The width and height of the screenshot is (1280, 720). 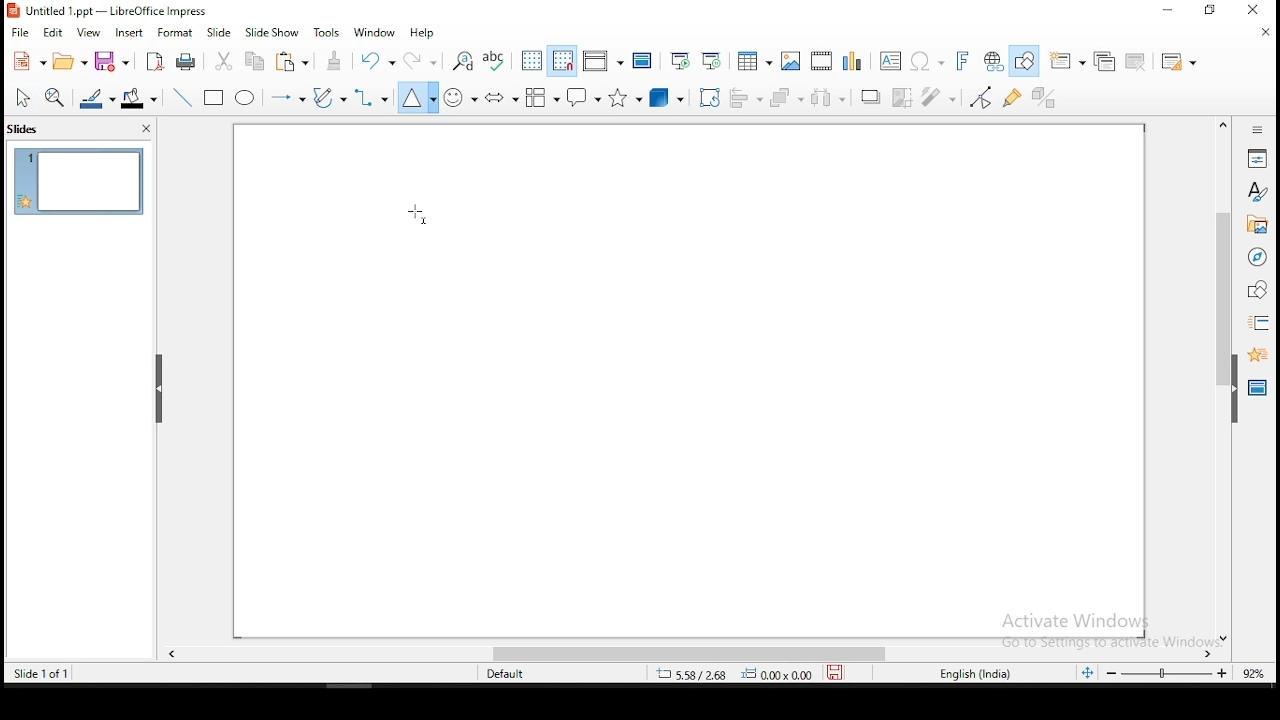 I want to click on slide, so click(x=78, y=180).